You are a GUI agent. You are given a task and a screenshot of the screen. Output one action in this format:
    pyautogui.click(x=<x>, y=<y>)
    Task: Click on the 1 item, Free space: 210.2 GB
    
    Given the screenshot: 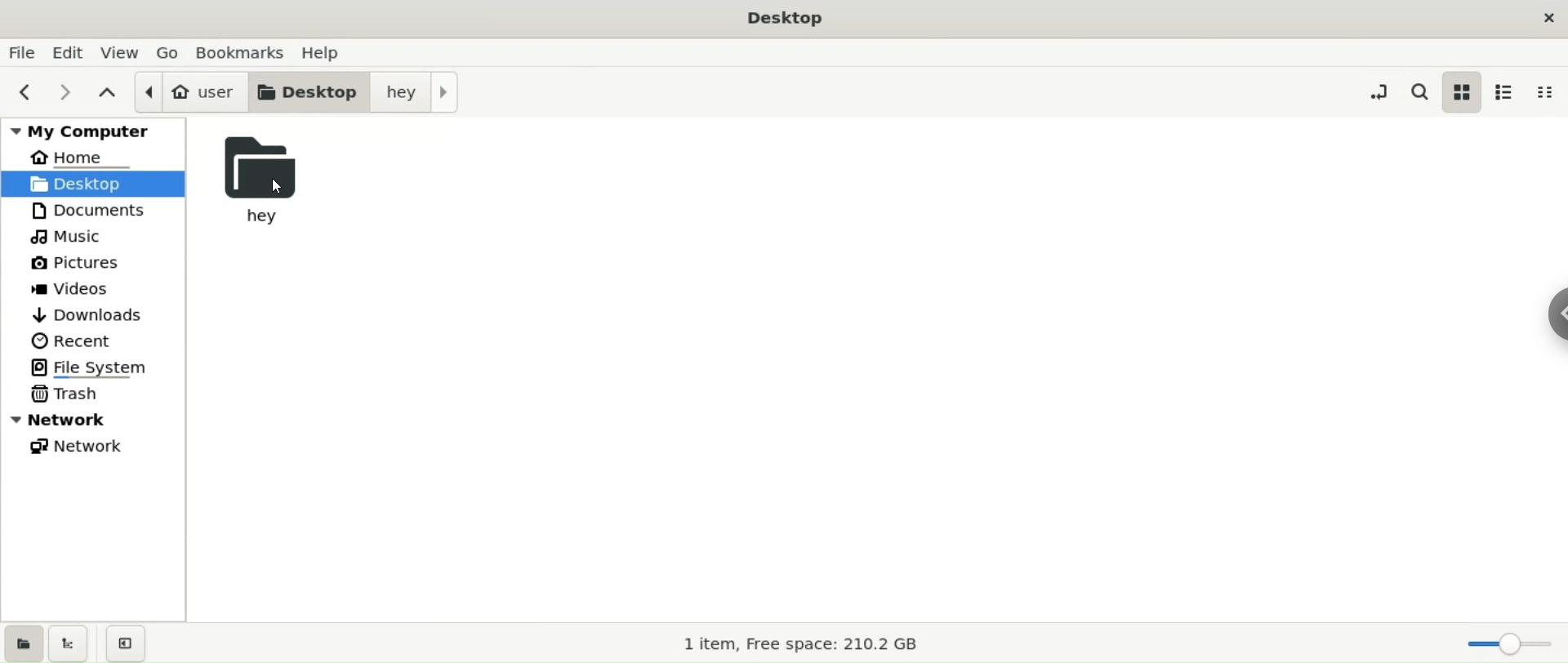 What is the action you would take?
    pyautogui.click(x=800, y=642)
    